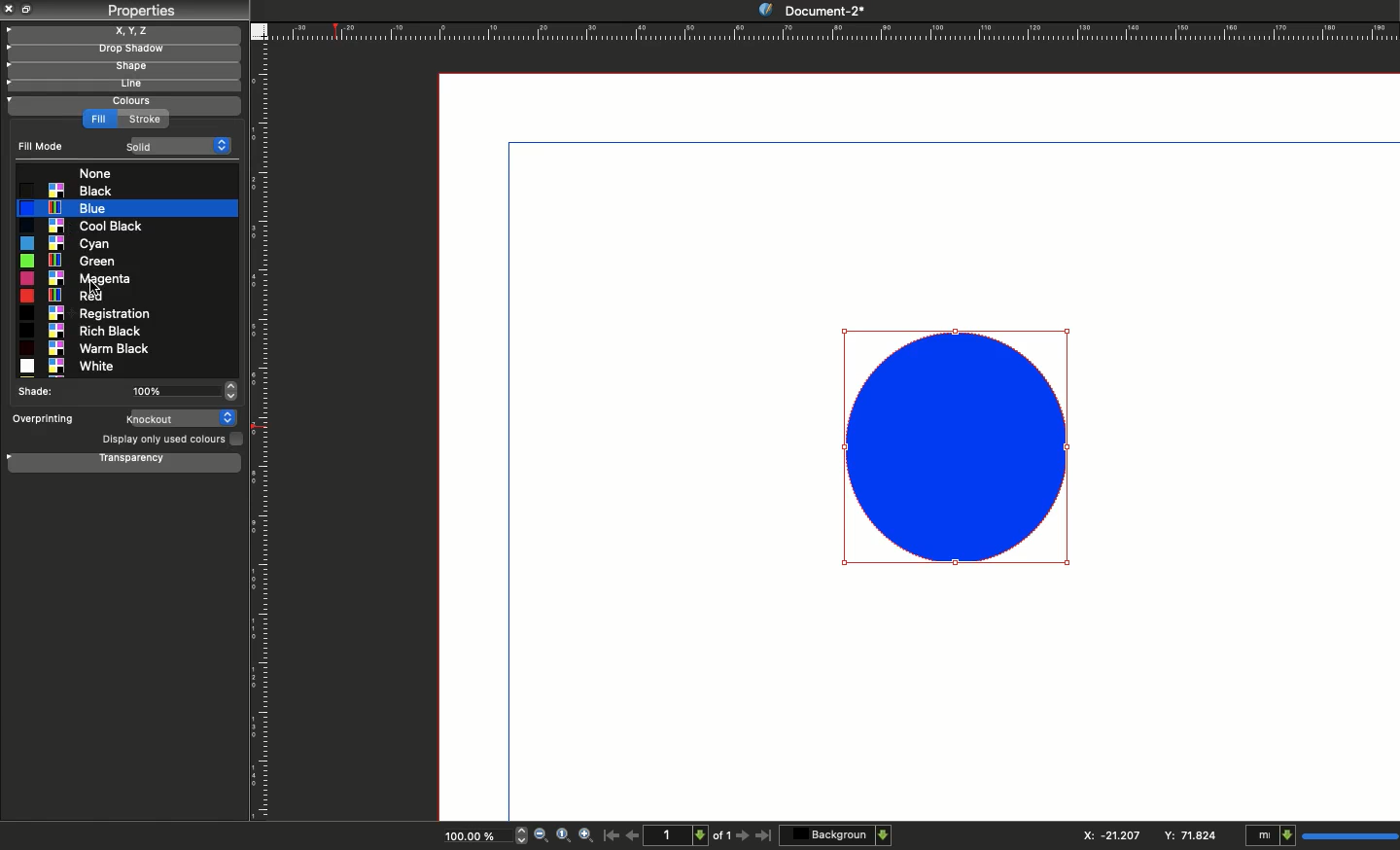  I want to click on White, so click(74, 368).